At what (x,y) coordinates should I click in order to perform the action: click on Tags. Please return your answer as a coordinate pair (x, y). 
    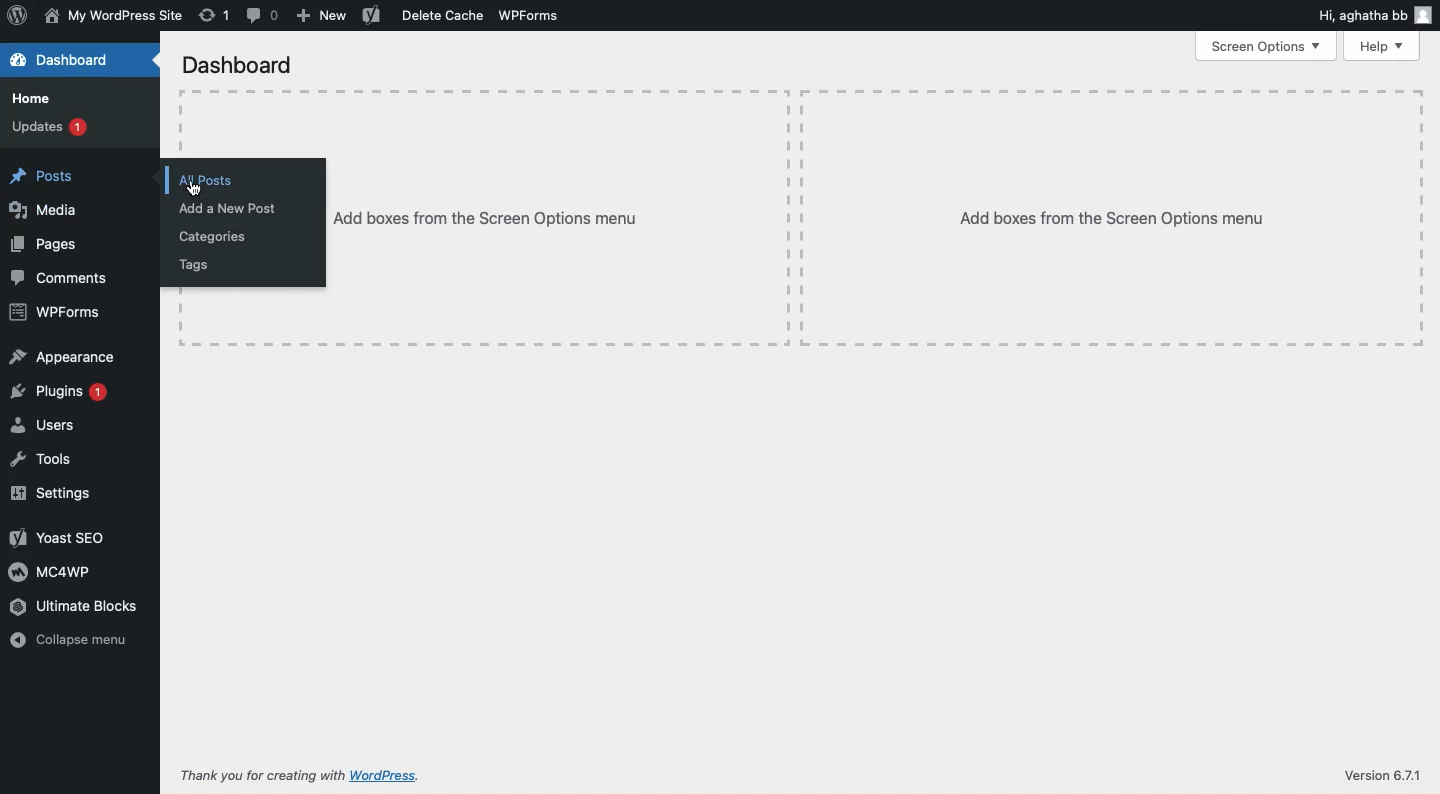
    Looking at the image, I should click on (196, 264).